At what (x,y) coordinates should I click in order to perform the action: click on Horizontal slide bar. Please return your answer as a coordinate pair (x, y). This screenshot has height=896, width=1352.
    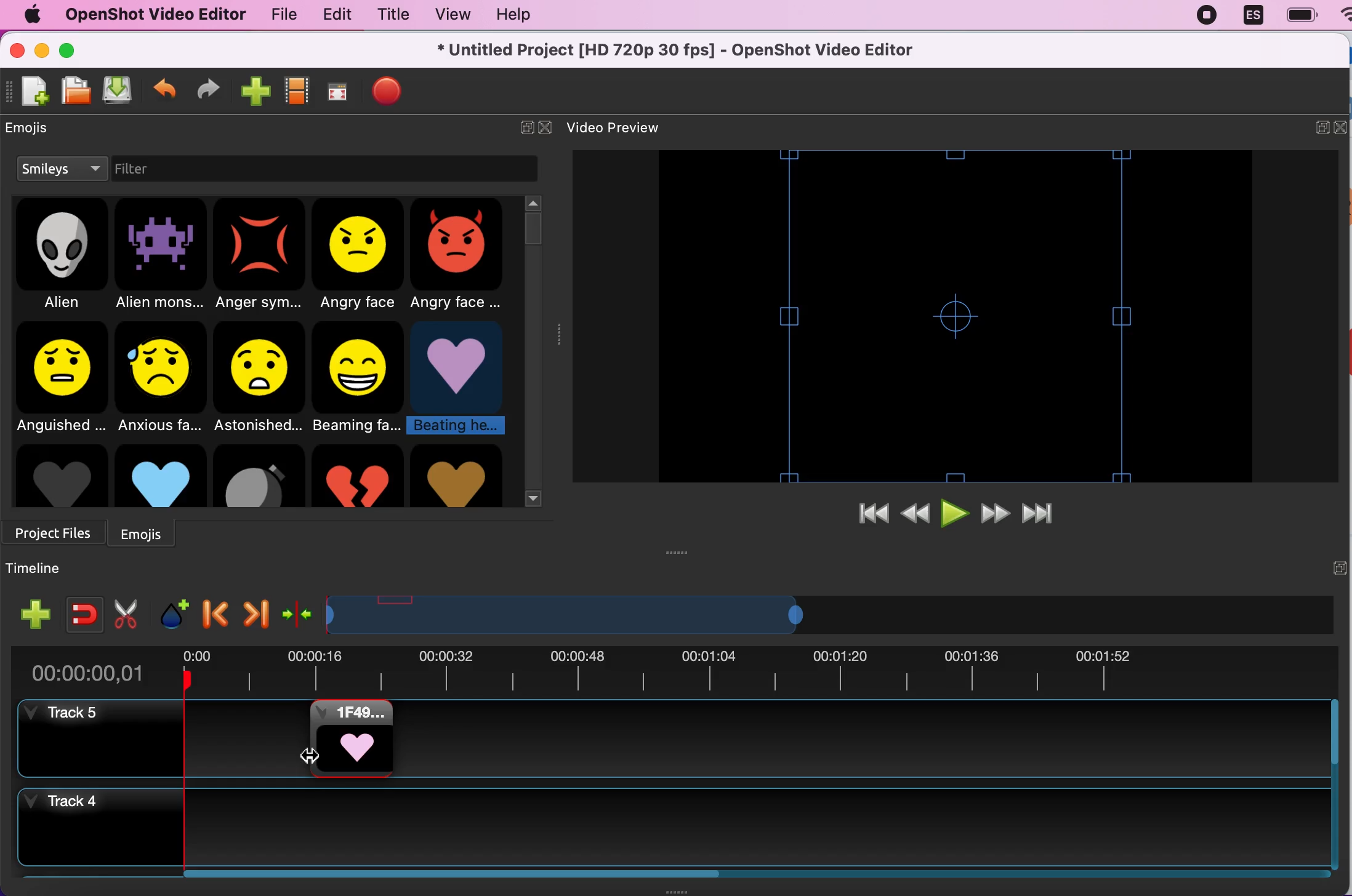
    Looking at the image, I should click on (742, 874).